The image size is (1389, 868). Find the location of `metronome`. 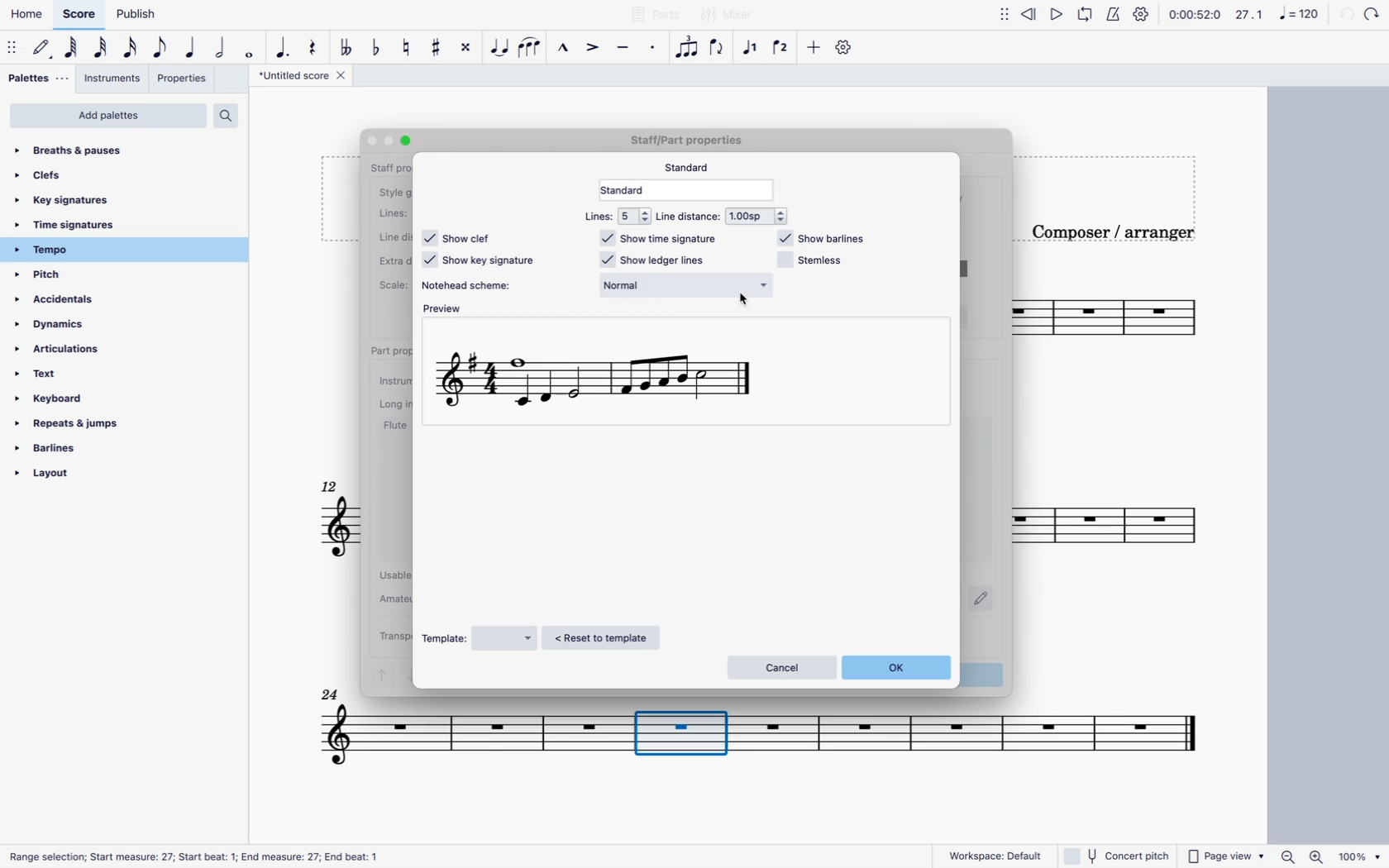

metronome is located at coordinates (1117, 13).